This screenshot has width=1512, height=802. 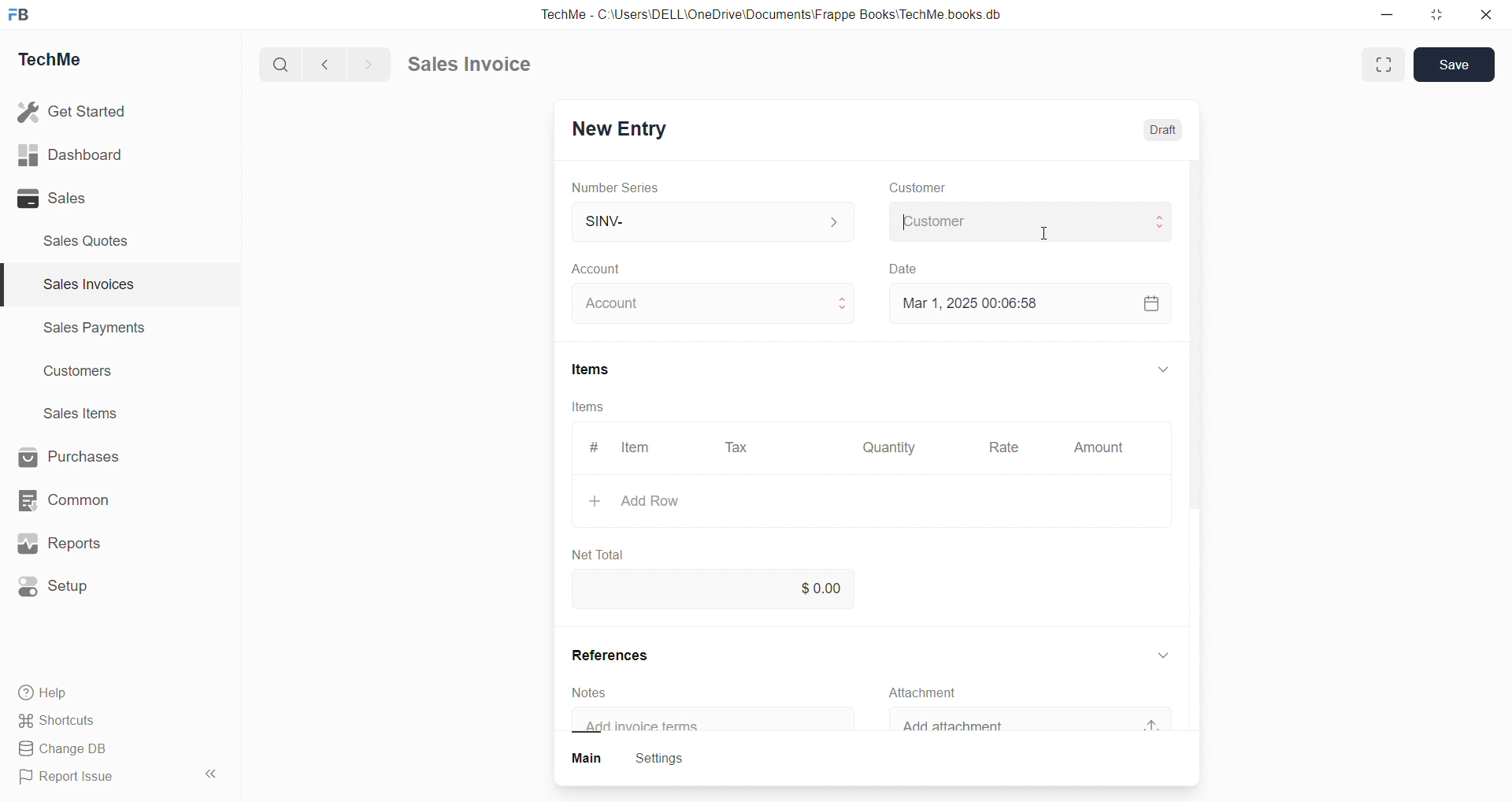 I want to click on Customer
T, so click(x=1025, y=221).